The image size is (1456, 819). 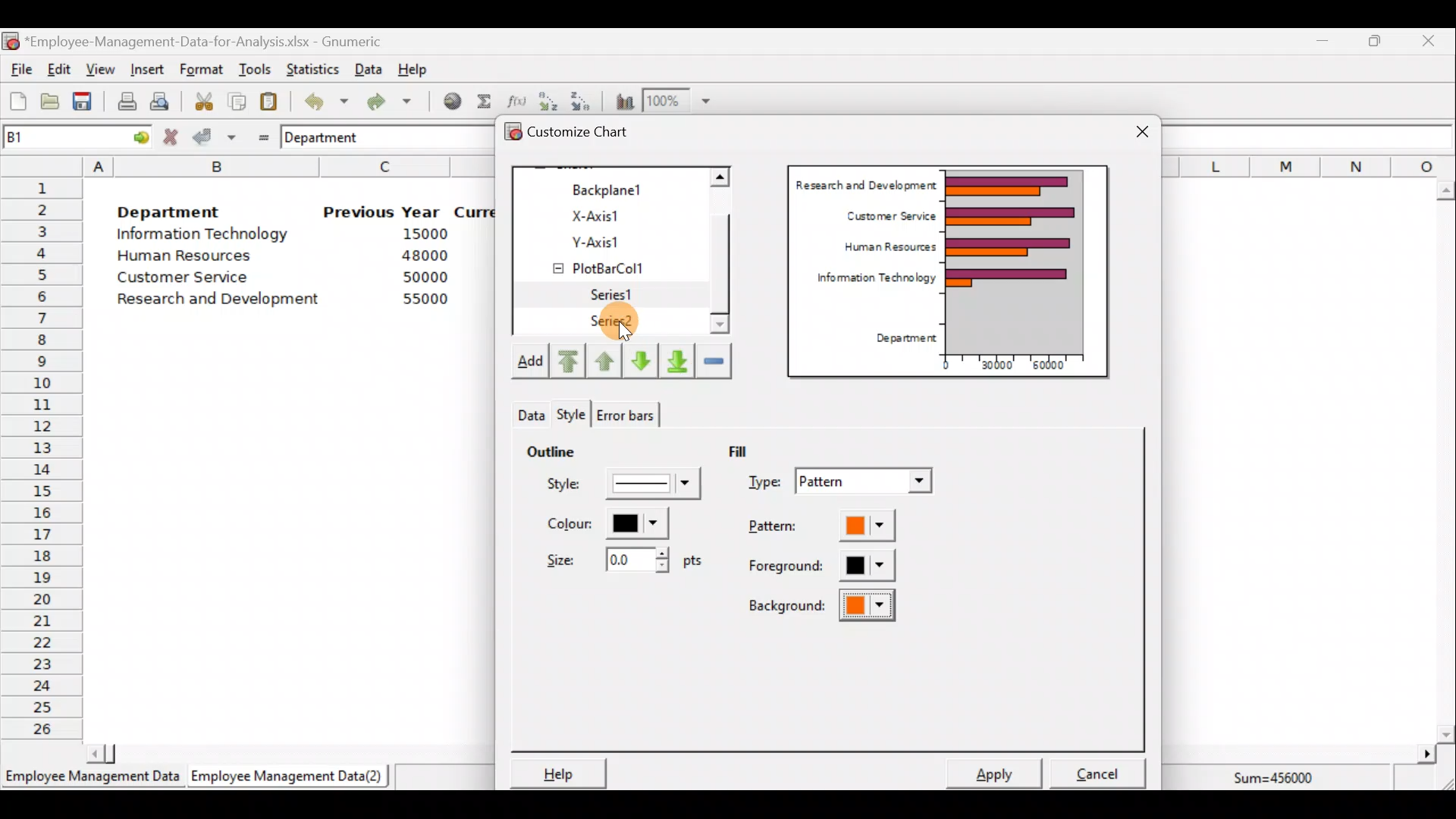 I want to click on Remove, so click(x=714, y=359).